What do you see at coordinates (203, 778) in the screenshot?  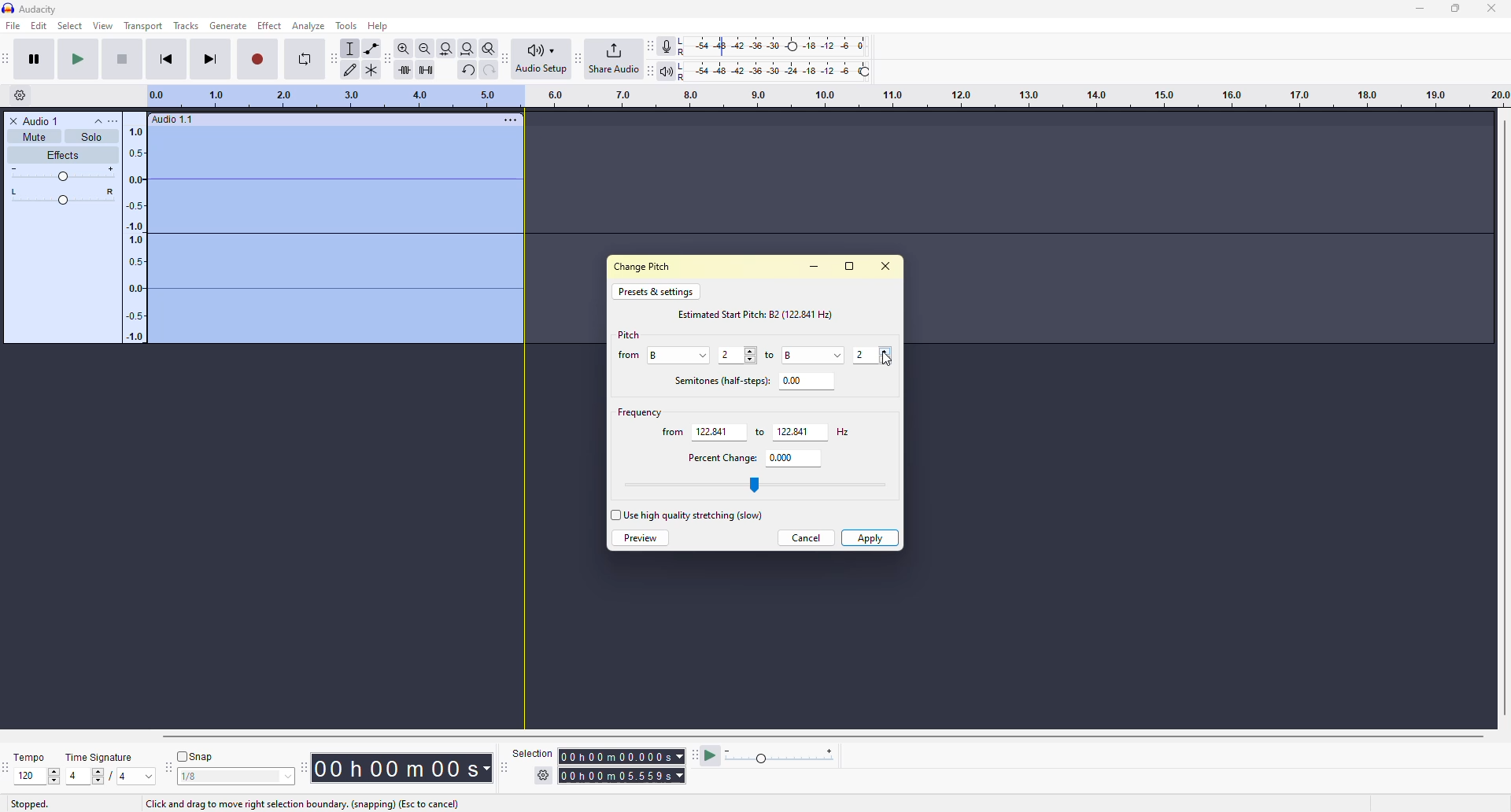 I see `1/8` at bounding box center [203, 778].